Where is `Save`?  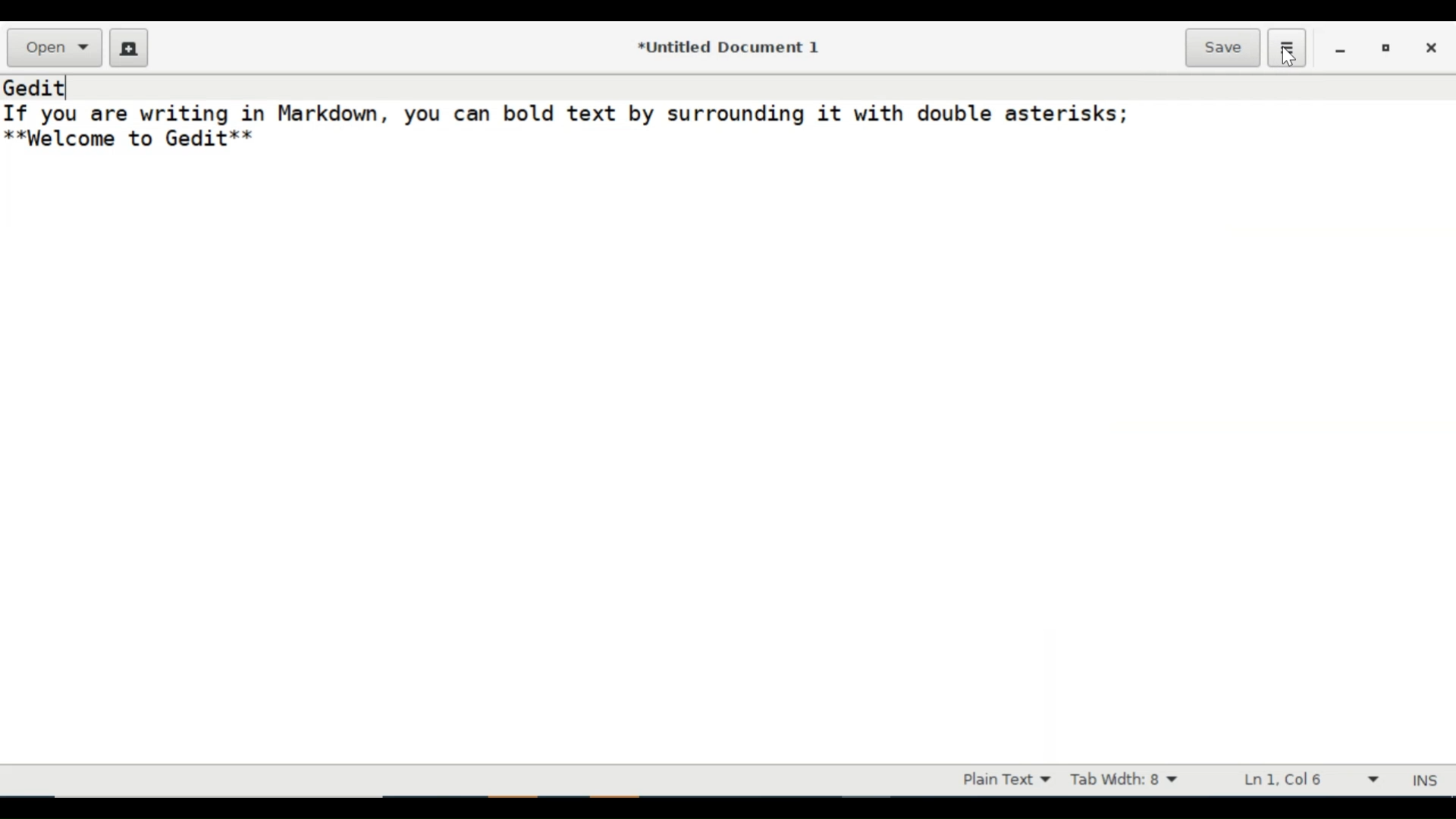
Save is located at coordinates (1221, 47).